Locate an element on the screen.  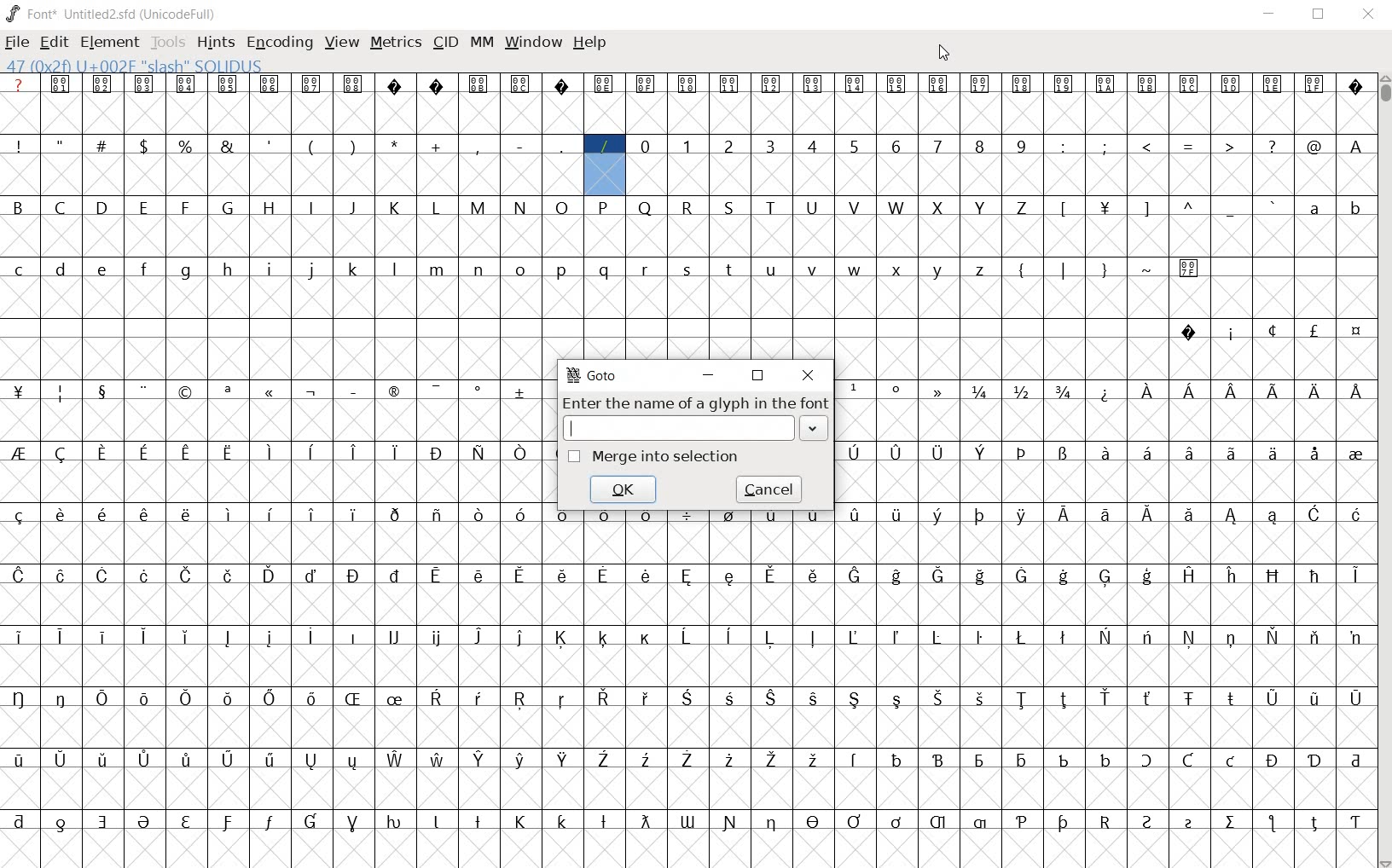
glyph is located at coordinates (855, 576).